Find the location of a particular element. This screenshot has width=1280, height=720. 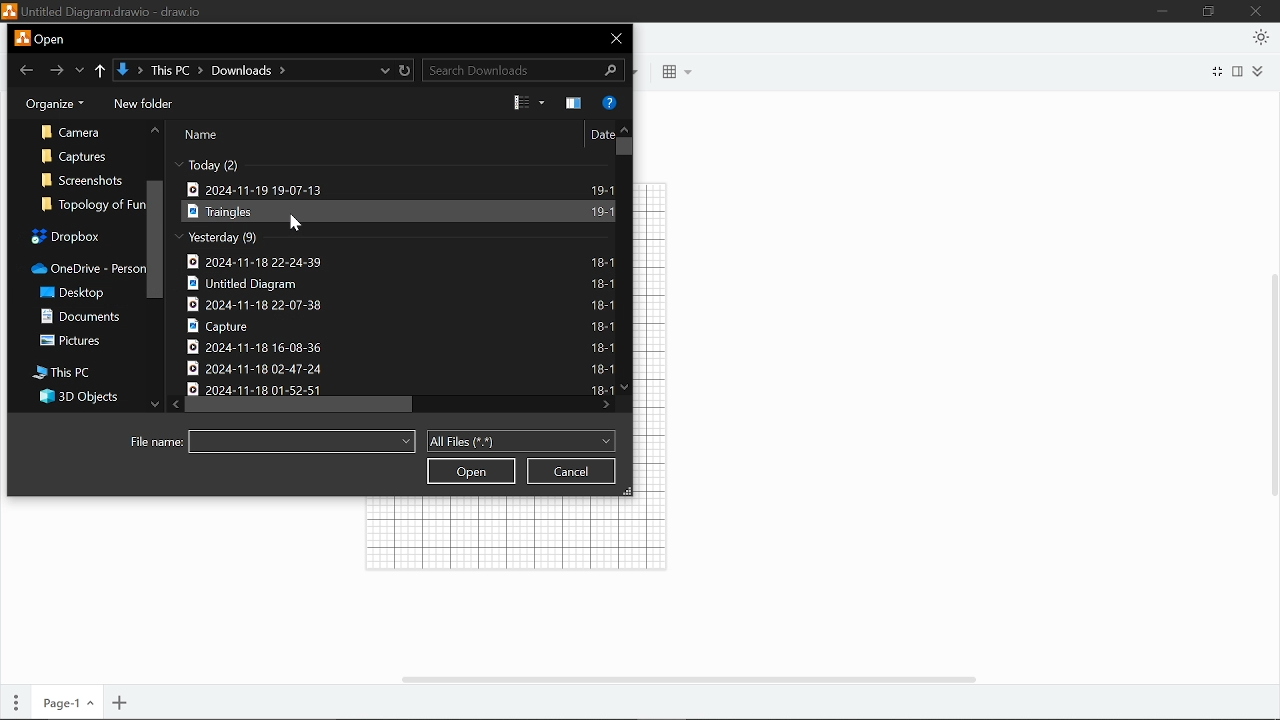

Current location is located at coordinates (384, 69).